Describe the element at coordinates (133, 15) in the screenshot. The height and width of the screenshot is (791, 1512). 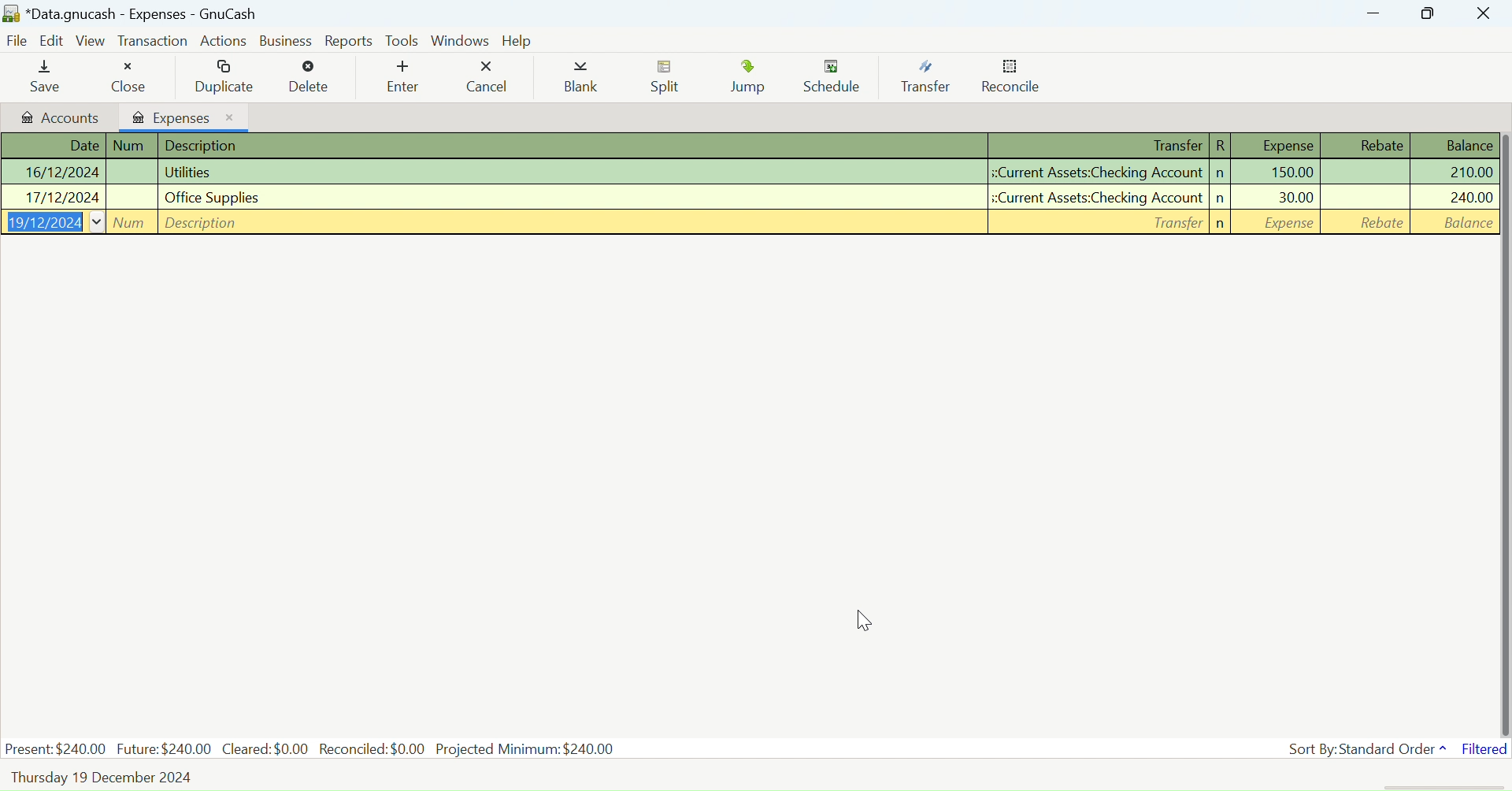
I see `*Data.gnucash - Accounts - GnuCash` at that location.